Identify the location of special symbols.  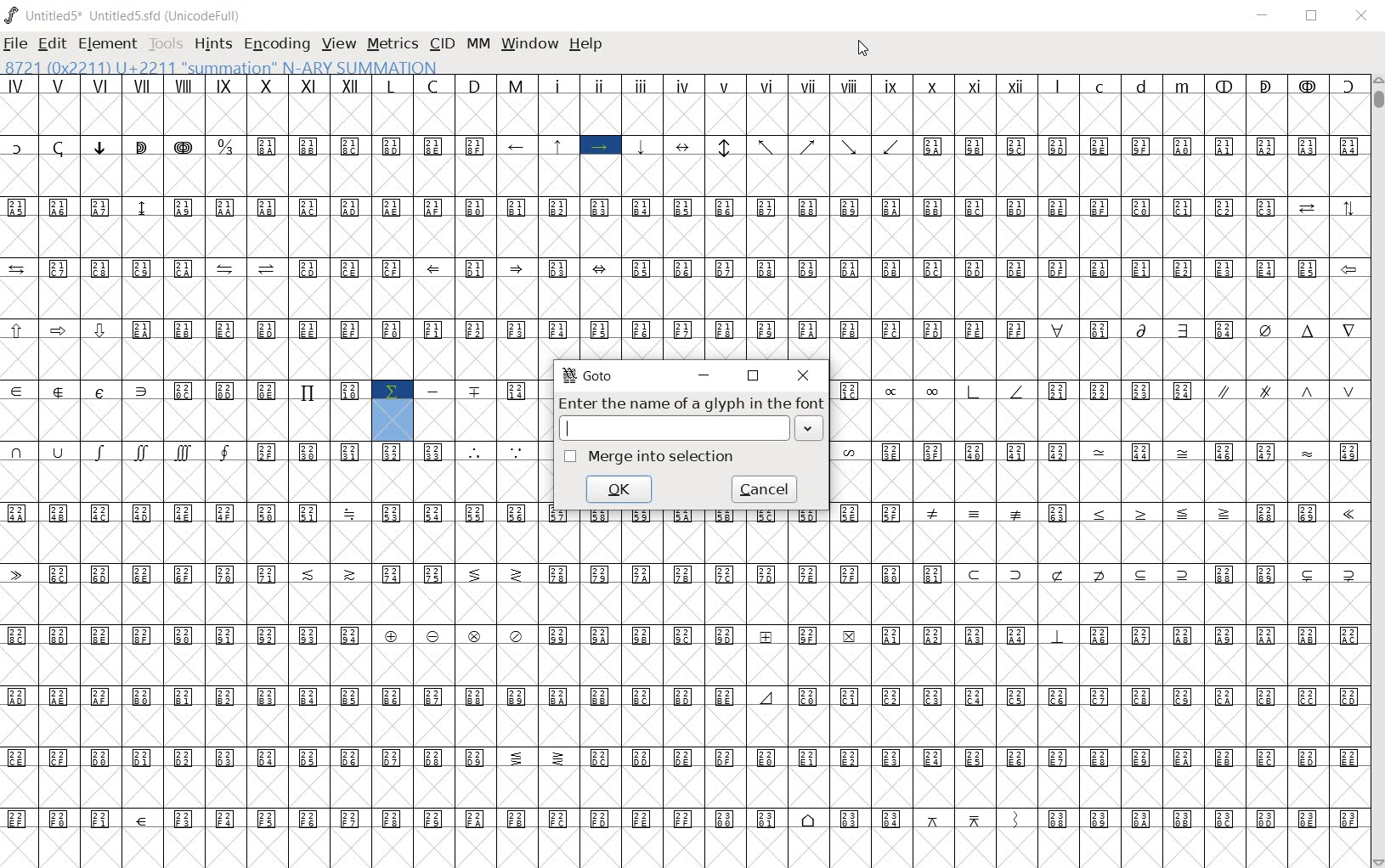
(480, 388).